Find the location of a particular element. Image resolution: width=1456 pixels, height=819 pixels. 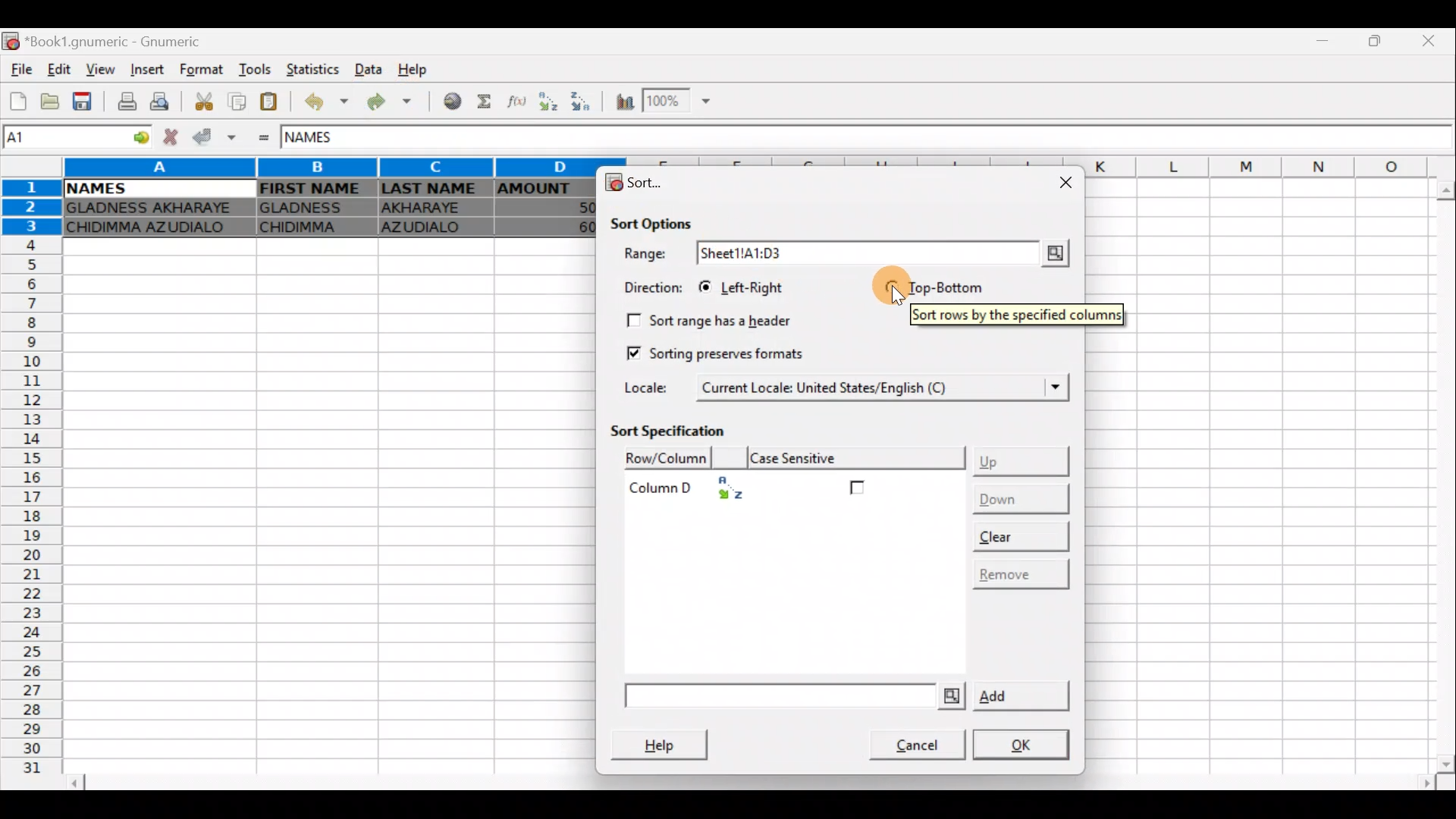

Clear is located at coordinates (1019, 532).